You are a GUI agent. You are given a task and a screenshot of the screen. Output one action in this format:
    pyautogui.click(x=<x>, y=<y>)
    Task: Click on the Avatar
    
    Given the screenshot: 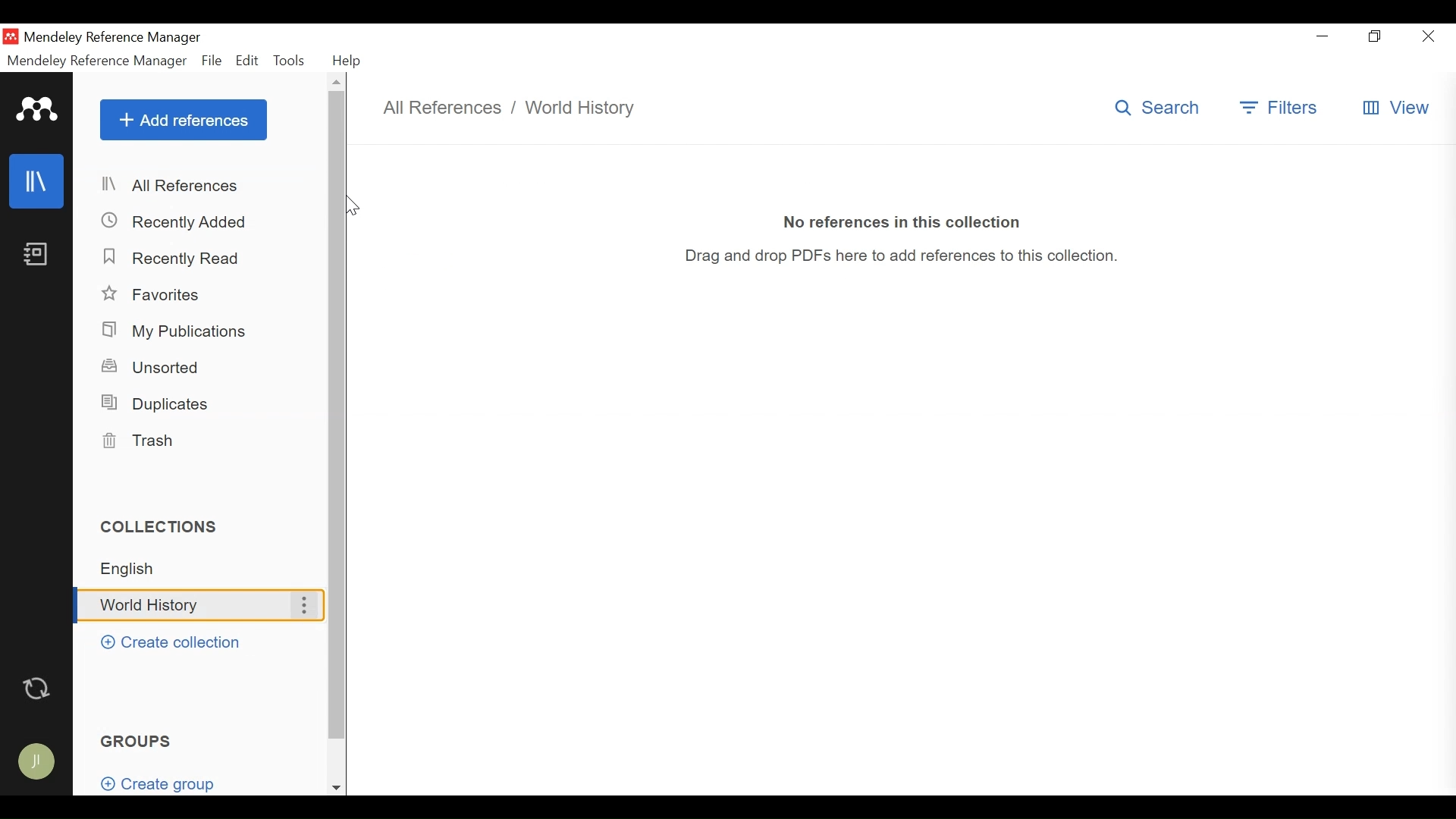 What is the action you would take?
    pyautogui.click(x=35, y=758)
    